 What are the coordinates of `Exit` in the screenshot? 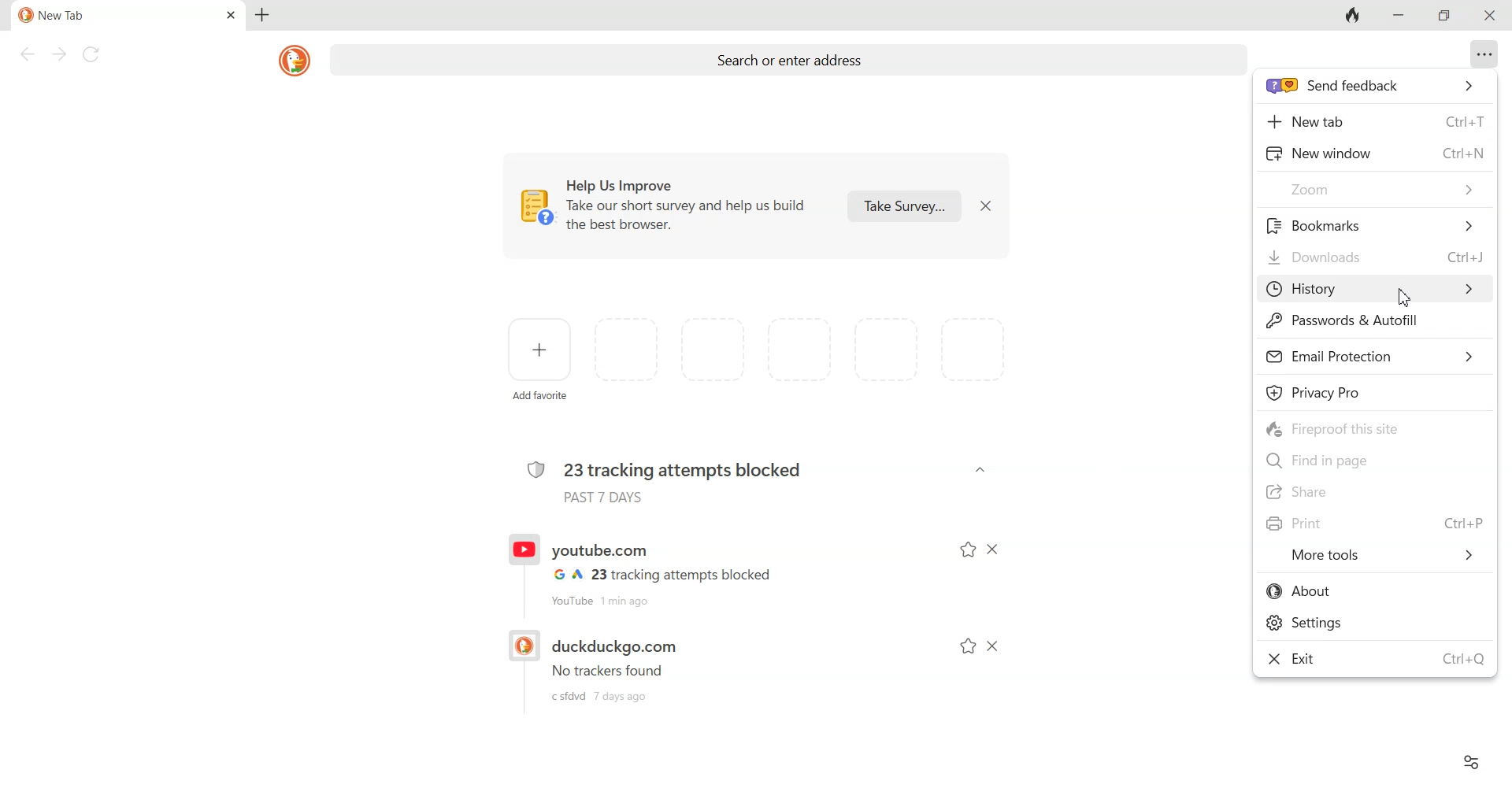 It's located at (1375, 657).